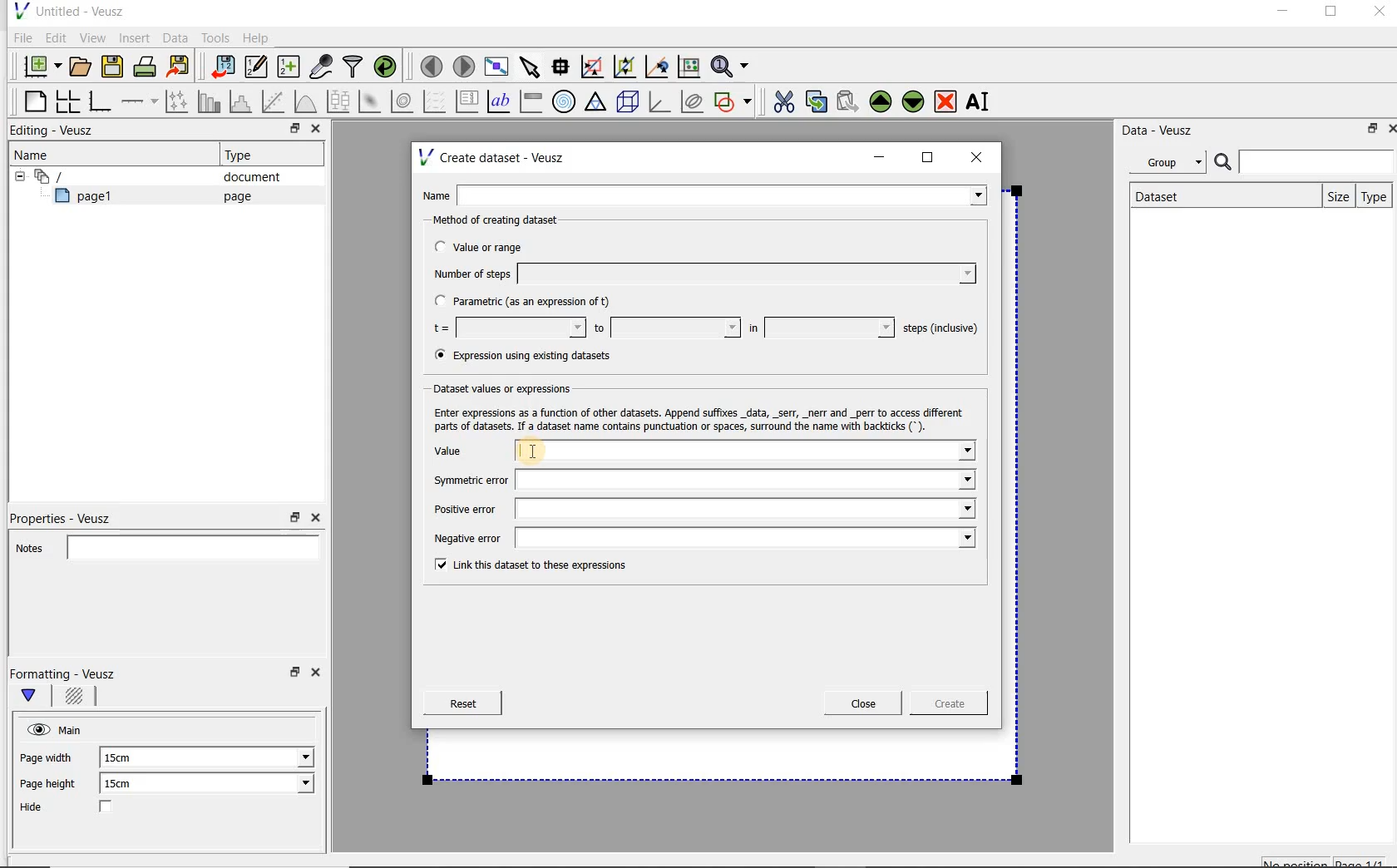  Describe the element at coordinates (941, 329) in the screenshot. I see `steps (inclusive)` at that location.